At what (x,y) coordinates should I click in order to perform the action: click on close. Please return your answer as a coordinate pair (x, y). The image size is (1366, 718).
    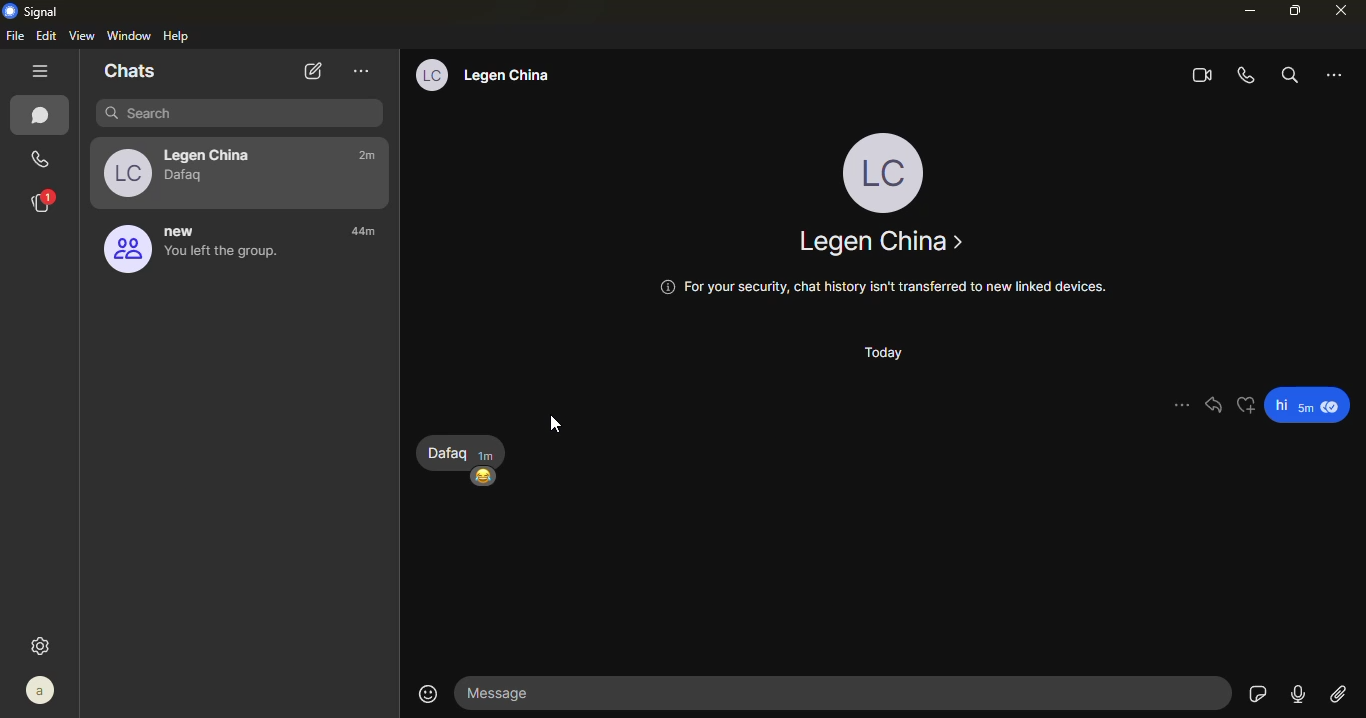
    Looking at the image, I should click on (1344, 10).